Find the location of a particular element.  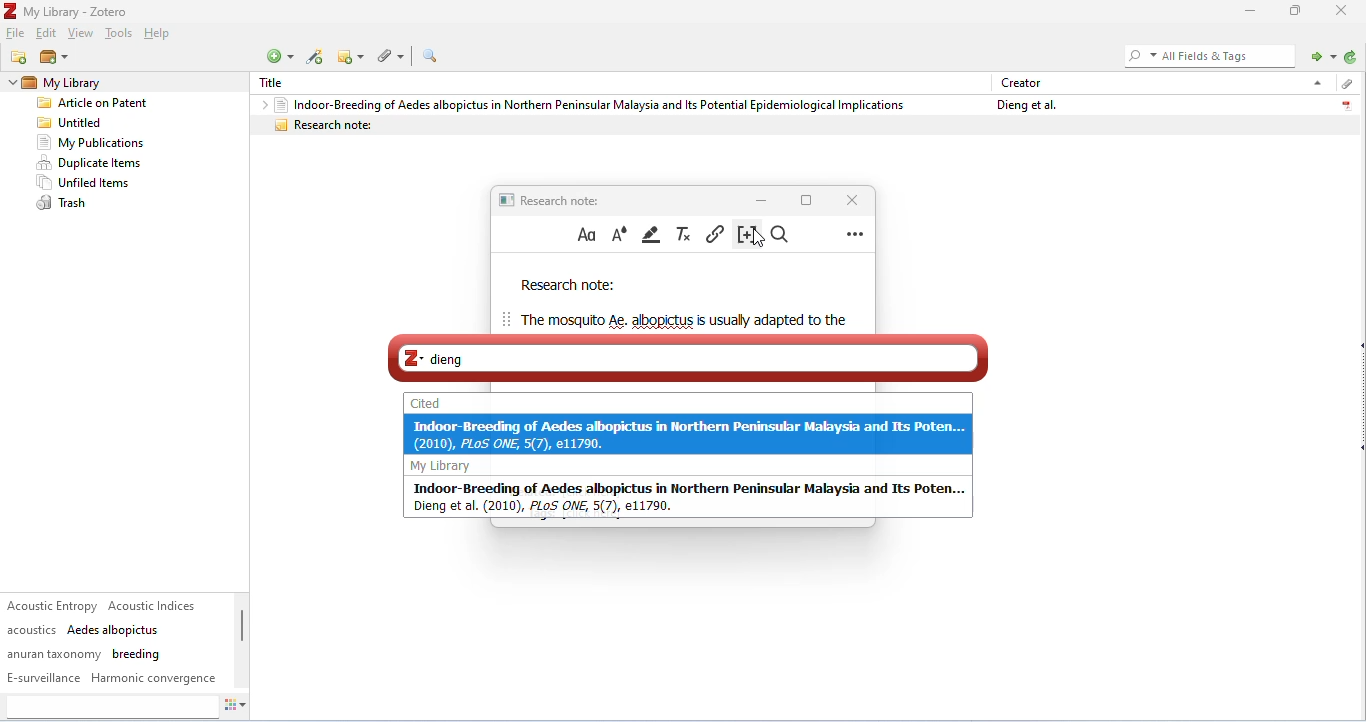

advanced search is located at coordinates (430, 56).